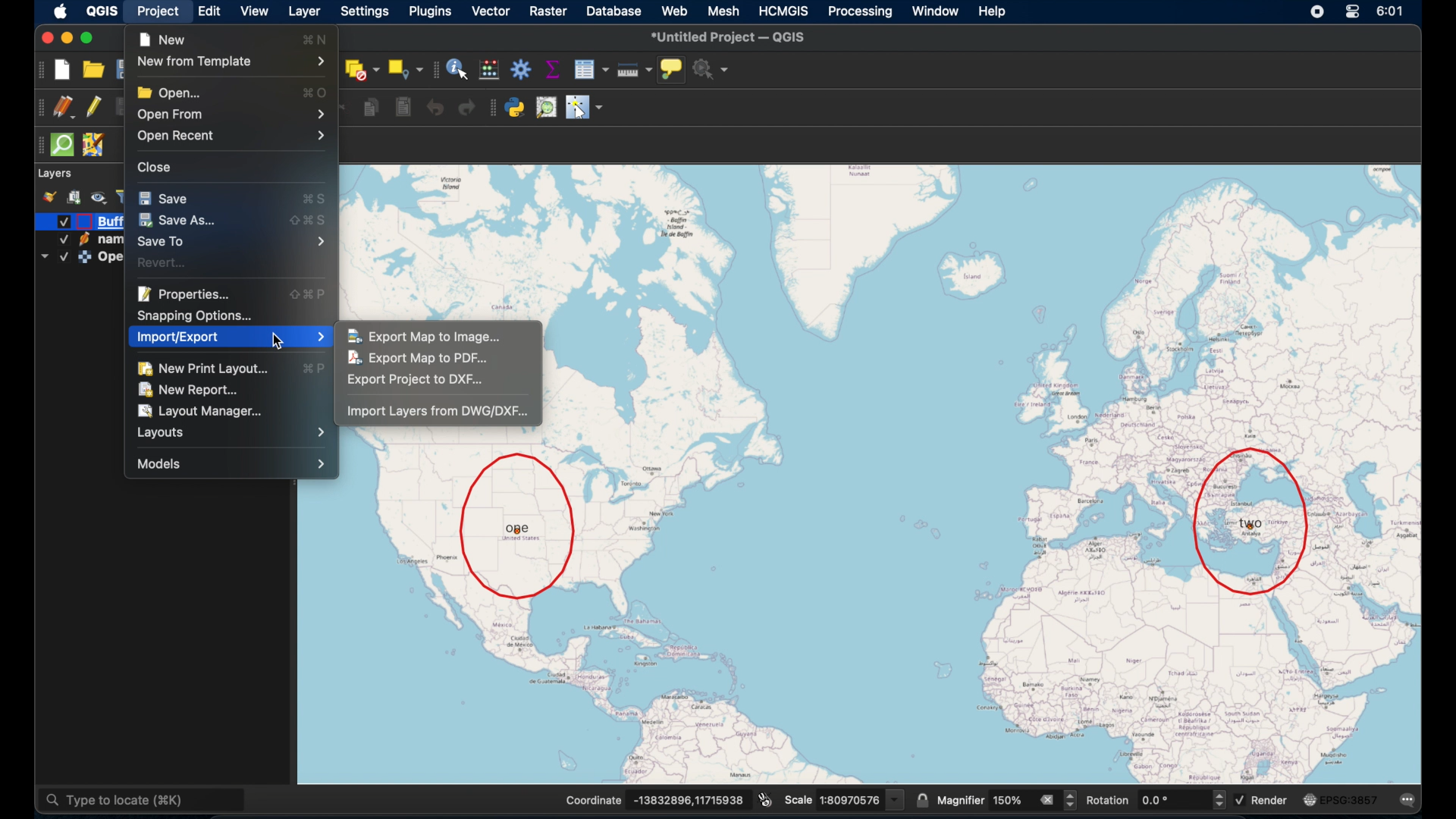 Image resolution: width=1456 pixels, height=819 pixels. What do you see at coordinates (1269, 799) in the screenshot?
I see `render` at bounding box center [1269, 799].